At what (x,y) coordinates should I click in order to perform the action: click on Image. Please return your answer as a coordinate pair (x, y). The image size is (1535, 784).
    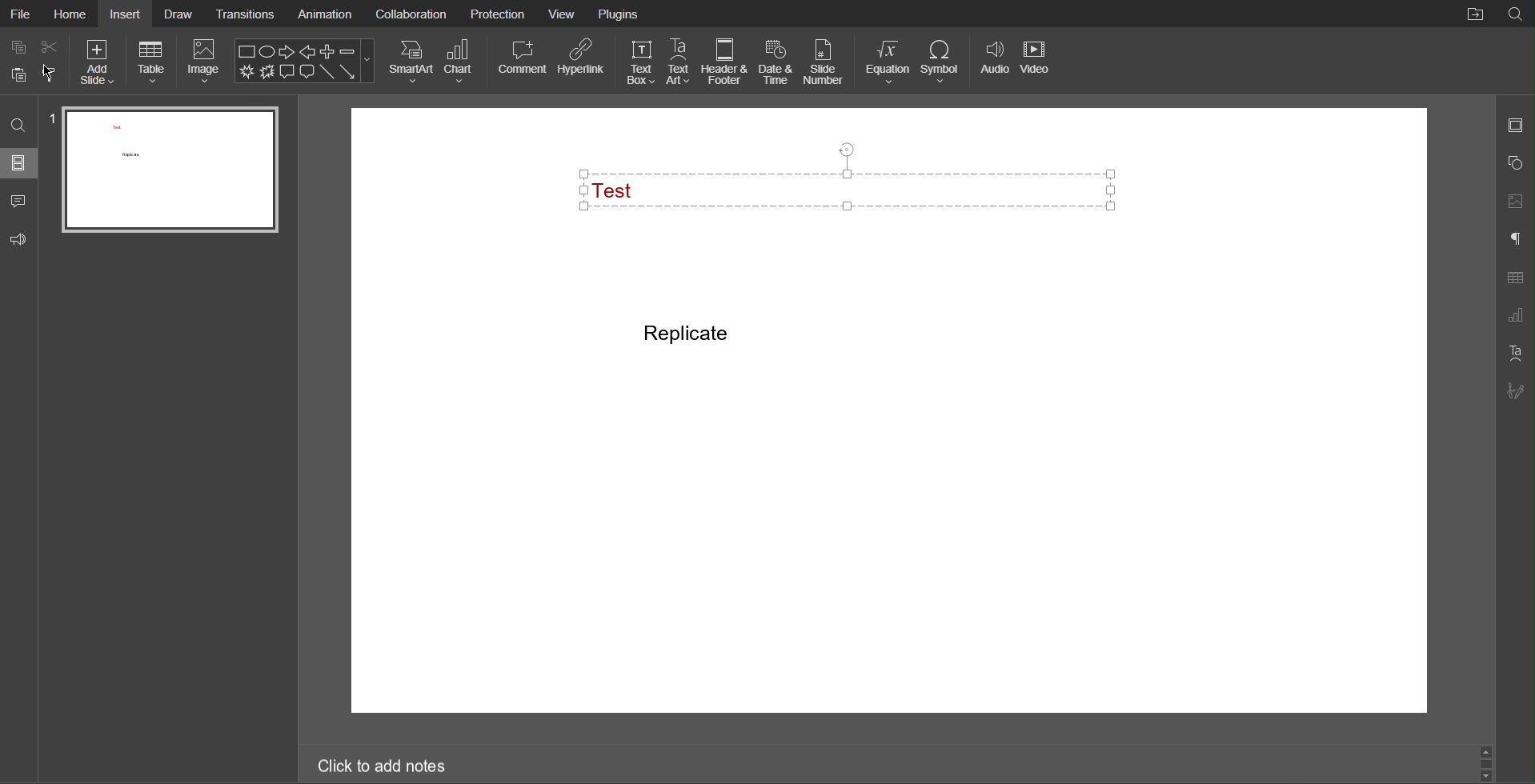
    Looking at the image, I should click on (206, 62).